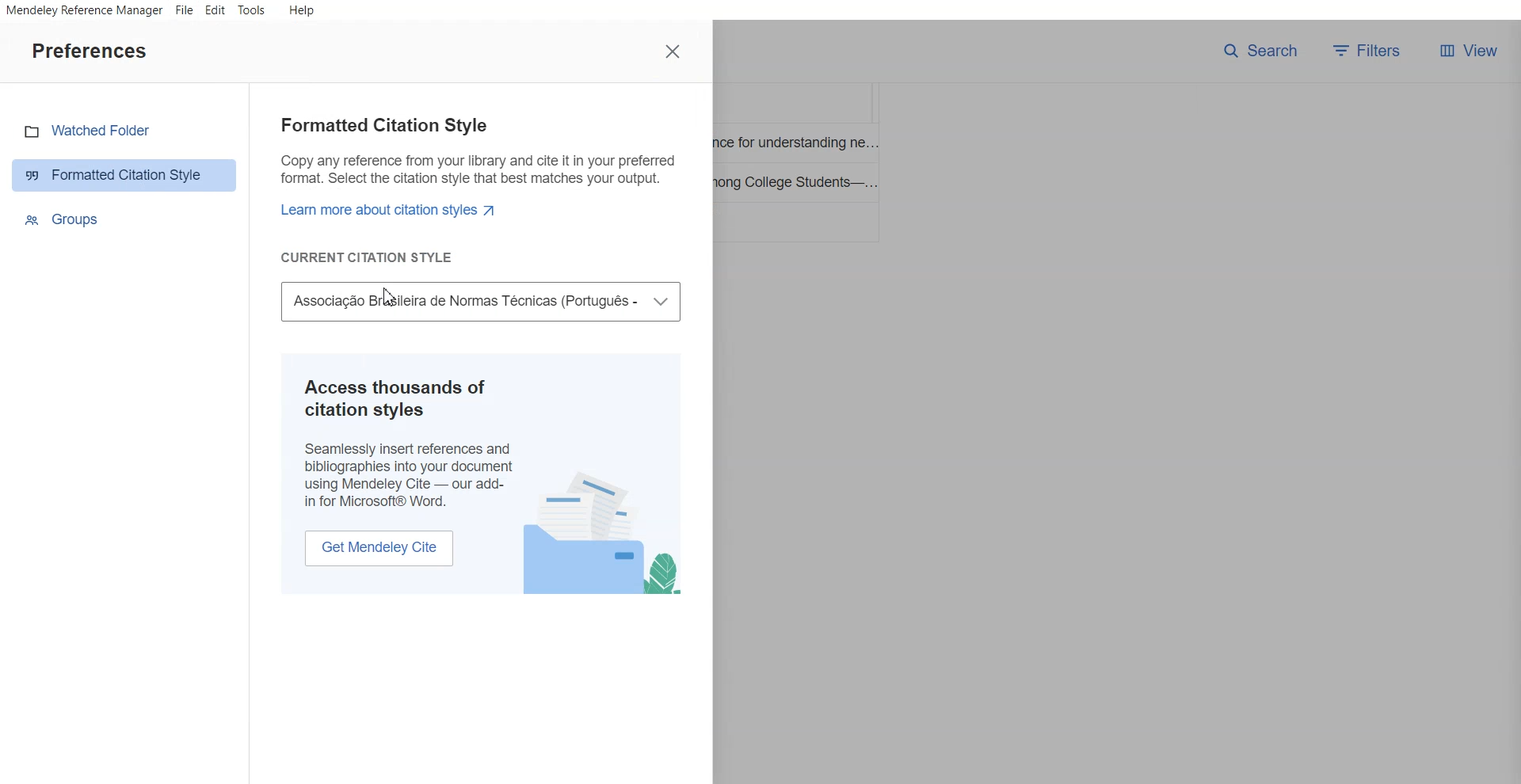 The width and height of the screenshot is (1521, 784). I want to click on Search, so click(1260, 51).